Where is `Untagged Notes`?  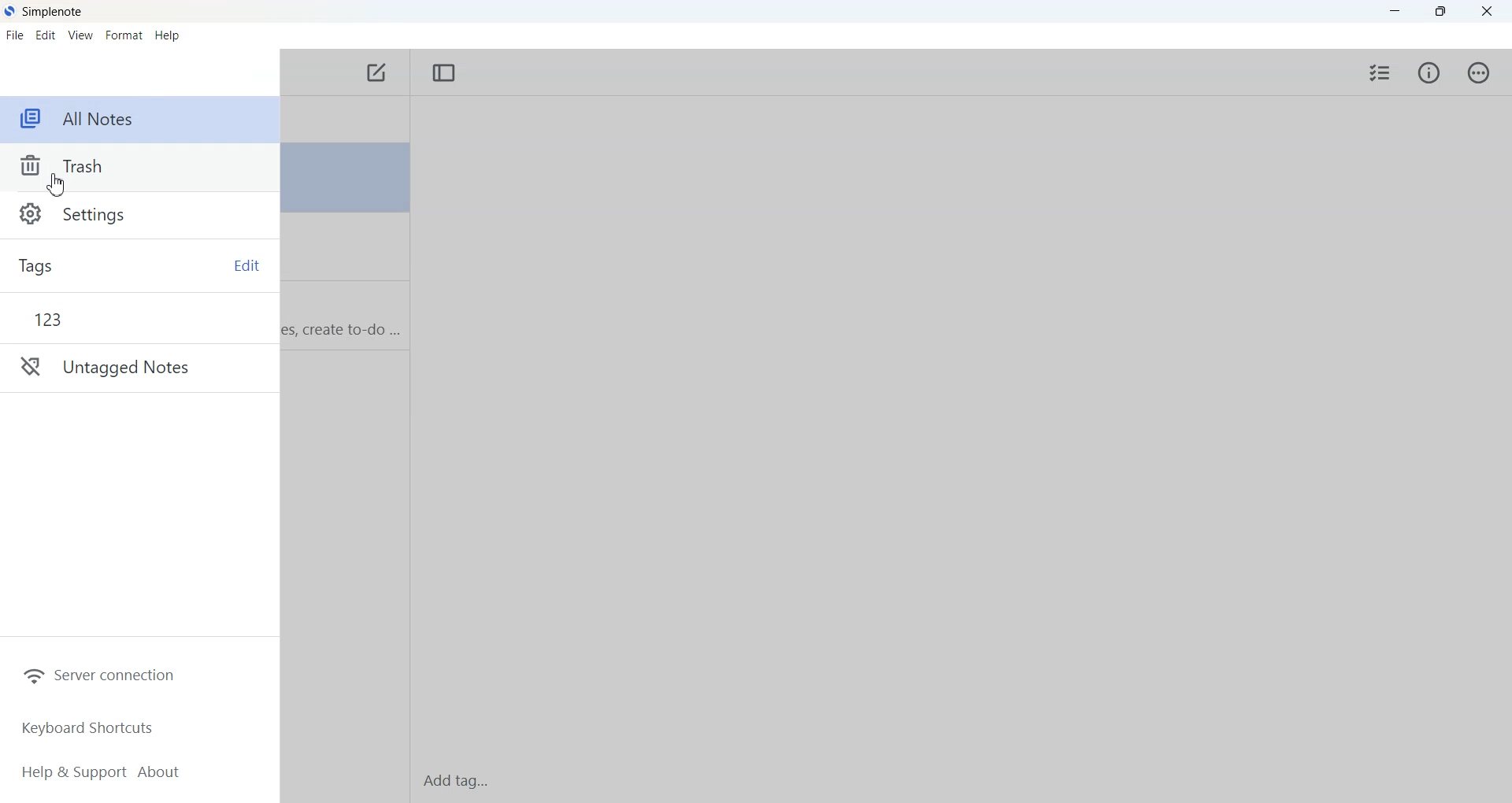
Untagged Notes is located at coordinates (140, 368).